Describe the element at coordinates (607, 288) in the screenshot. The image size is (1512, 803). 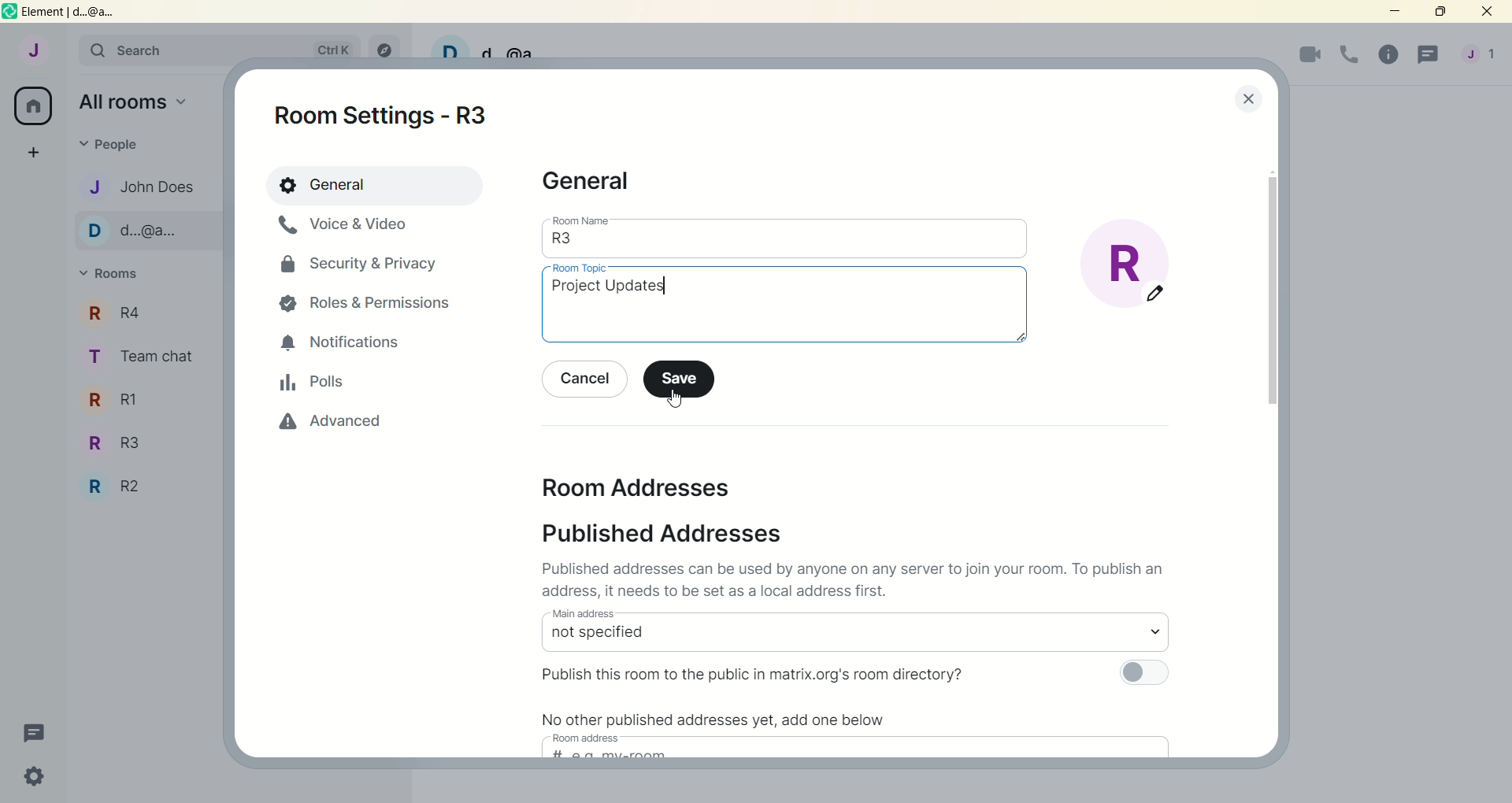
I see `Room topic typed in: project updates` at that location.